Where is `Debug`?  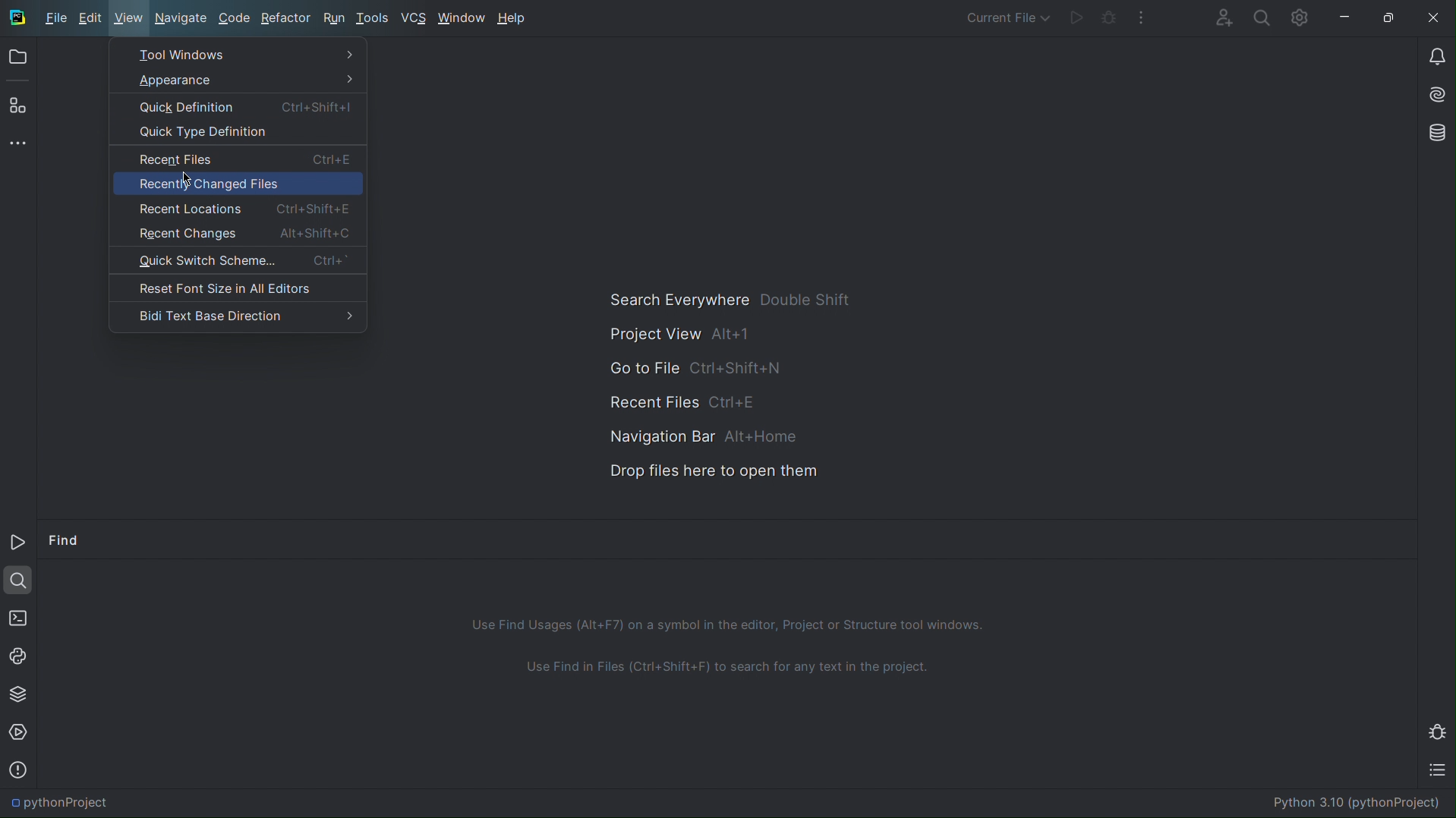 Debug is located at coordinates (1110, 16).